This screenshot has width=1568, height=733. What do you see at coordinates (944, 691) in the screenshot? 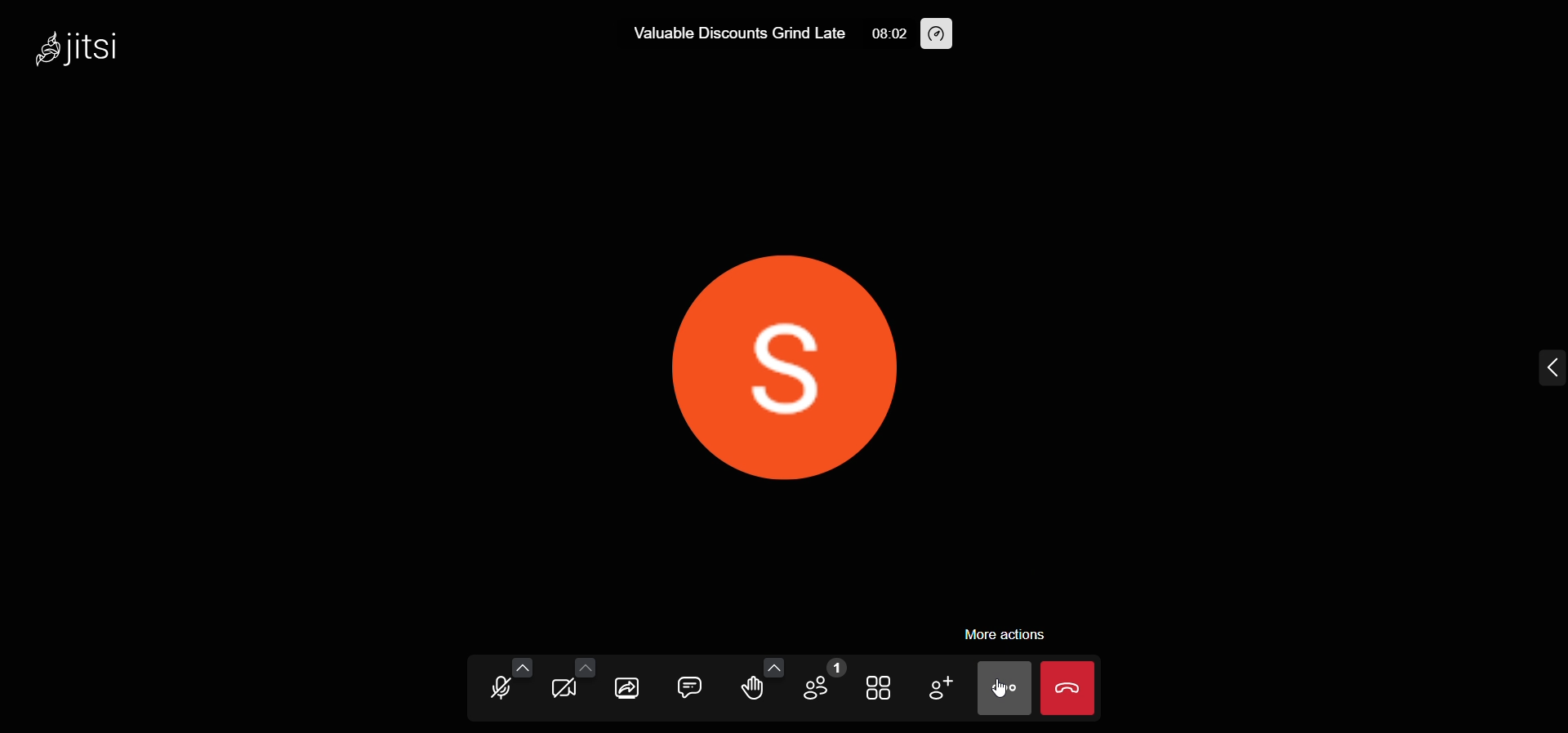
I see `invite people` at bounding box center [944, 691].